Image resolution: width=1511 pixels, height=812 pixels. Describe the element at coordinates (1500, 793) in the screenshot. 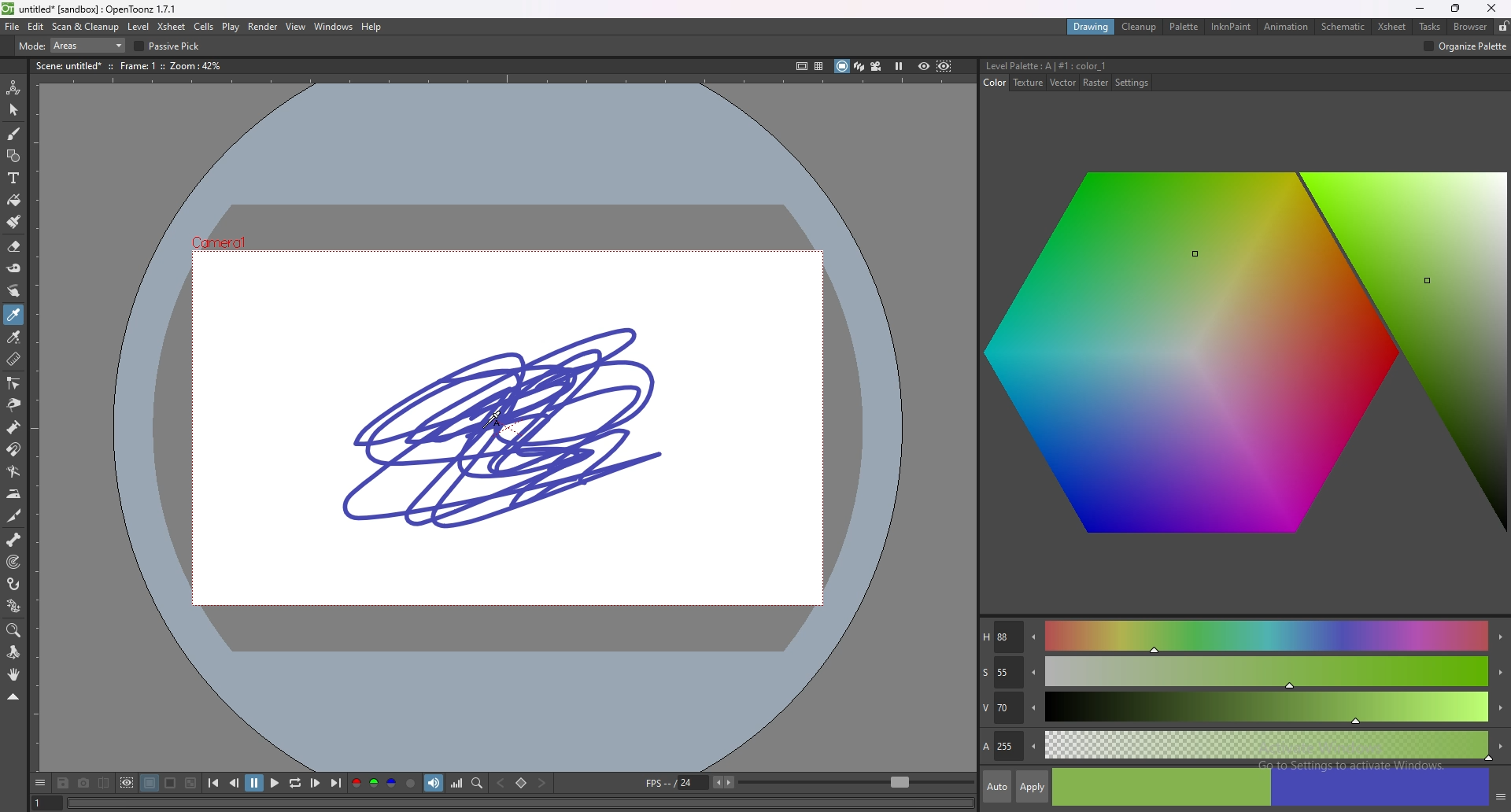

I see `show or hide parts of the color page` at that location.